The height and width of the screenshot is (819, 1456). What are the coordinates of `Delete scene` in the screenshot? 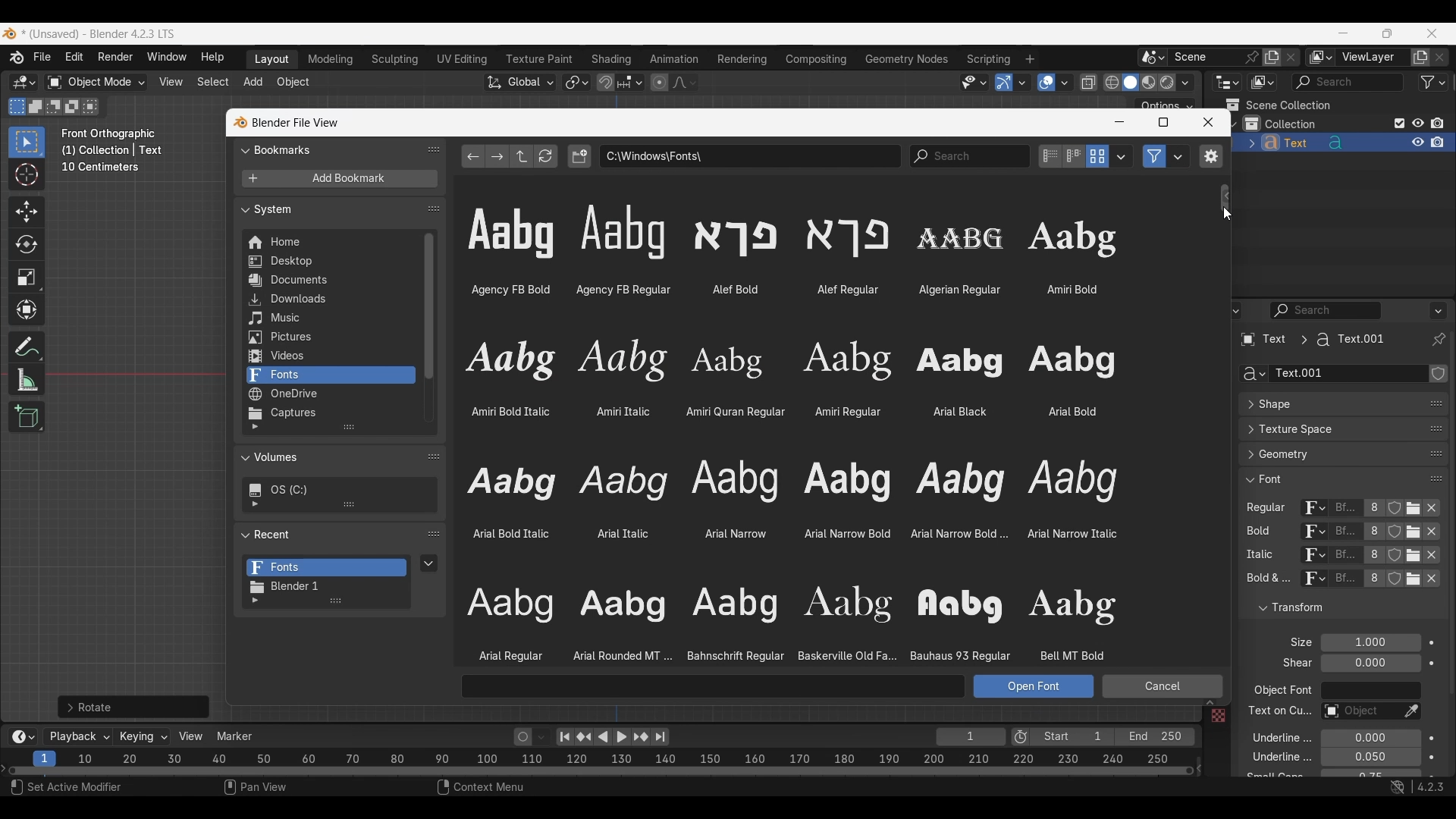 It's located at (1291, 58).